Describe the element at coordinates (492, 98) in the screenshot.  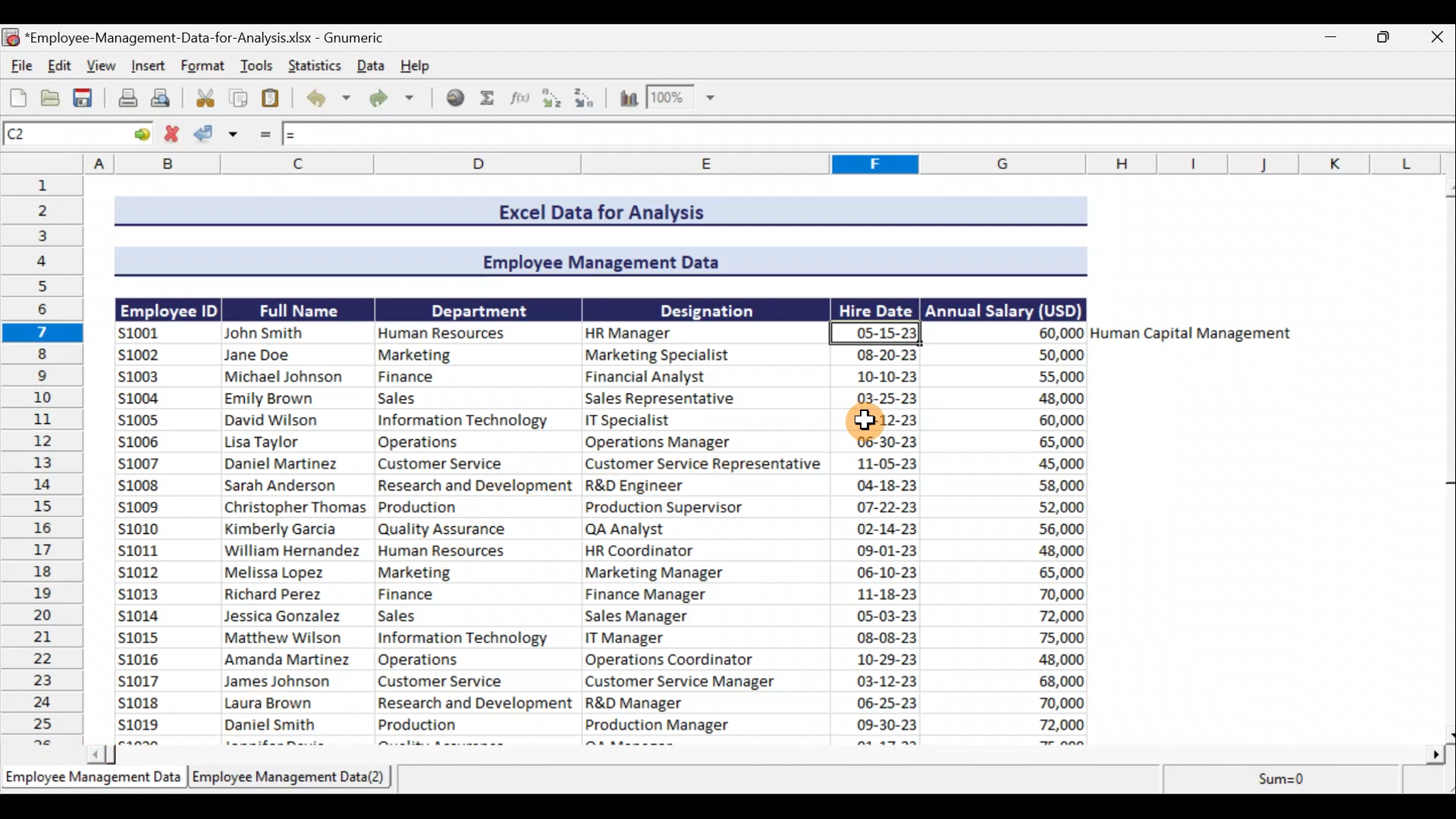
I see `Sum into the current cell` at that location.